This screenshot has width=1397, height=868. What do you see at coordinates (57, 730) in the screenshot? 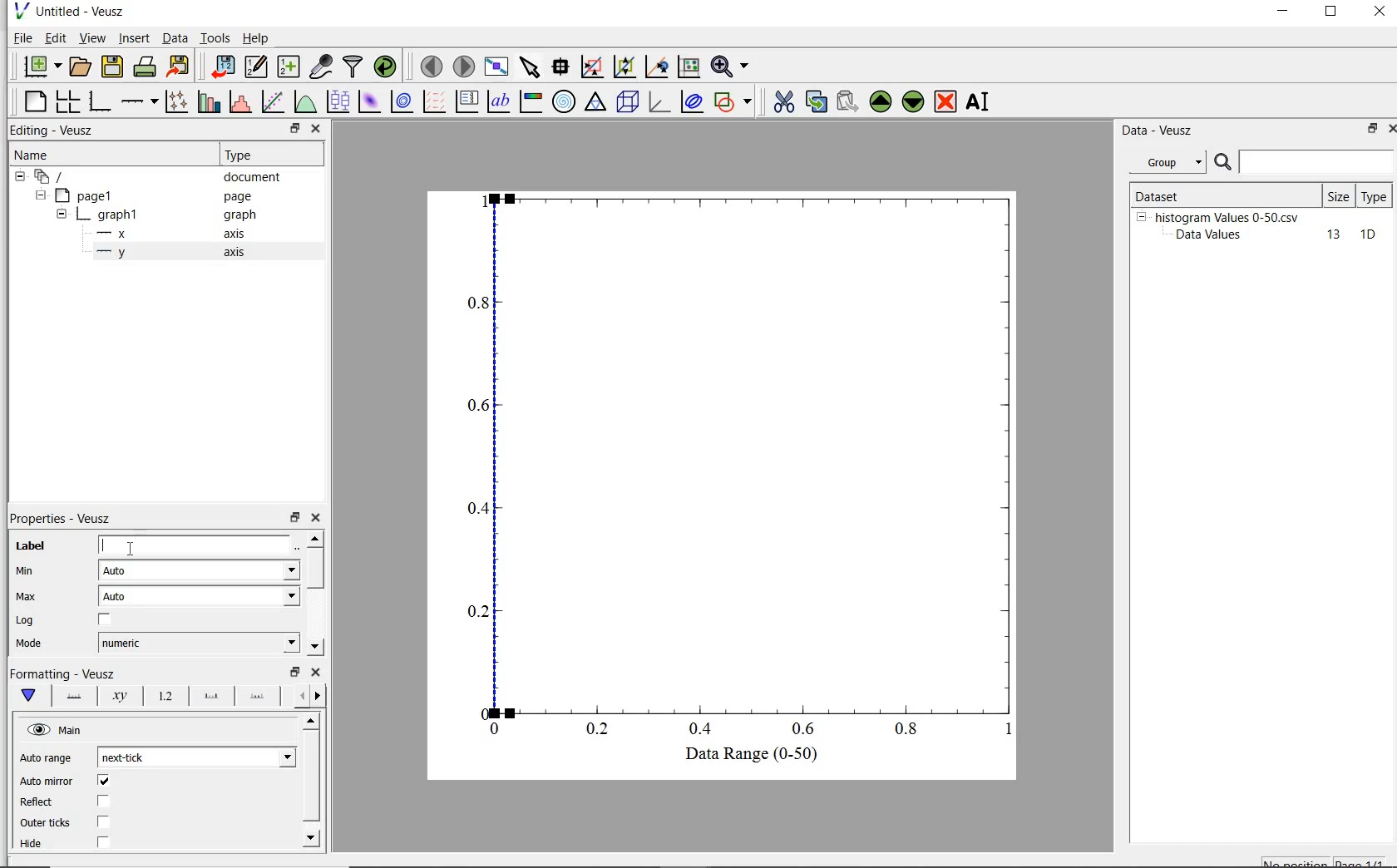
I see `hide` at bounding box center [57, 730].